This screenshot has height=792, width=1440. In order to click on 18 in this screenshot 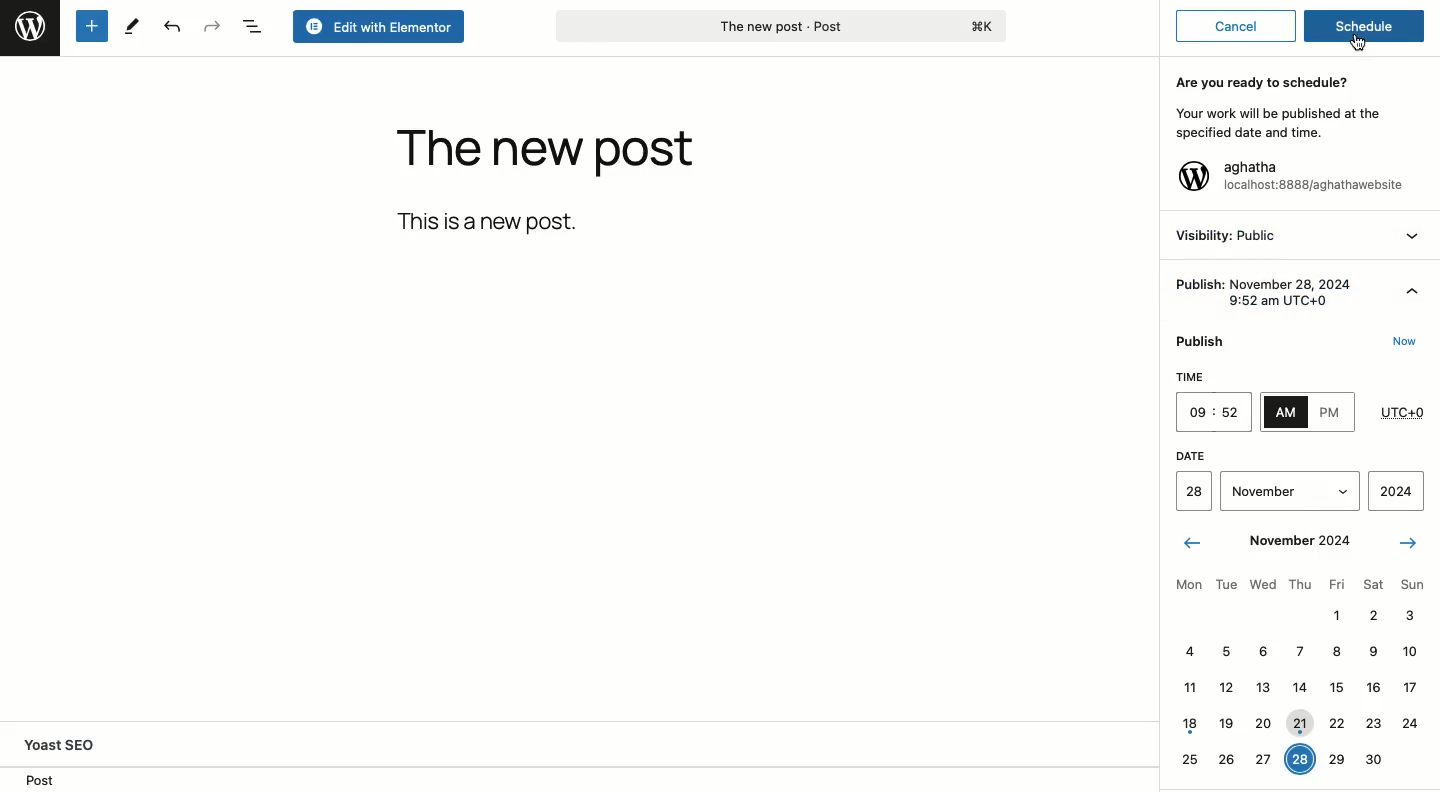, I will do `click(1190, 721)`.